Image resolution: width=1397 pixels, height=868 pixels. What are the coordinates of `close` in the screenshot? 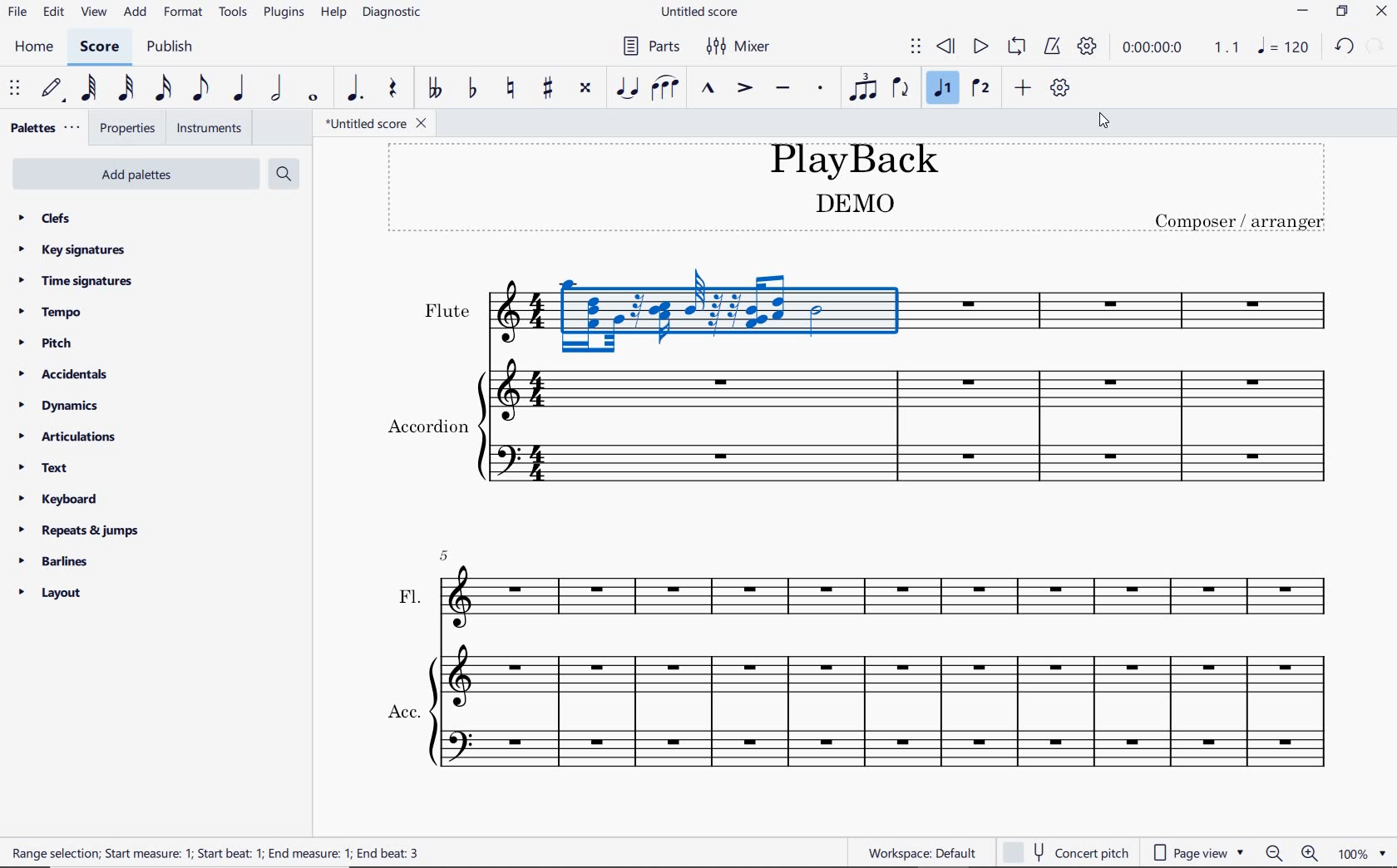 It's located at (1382, 12).